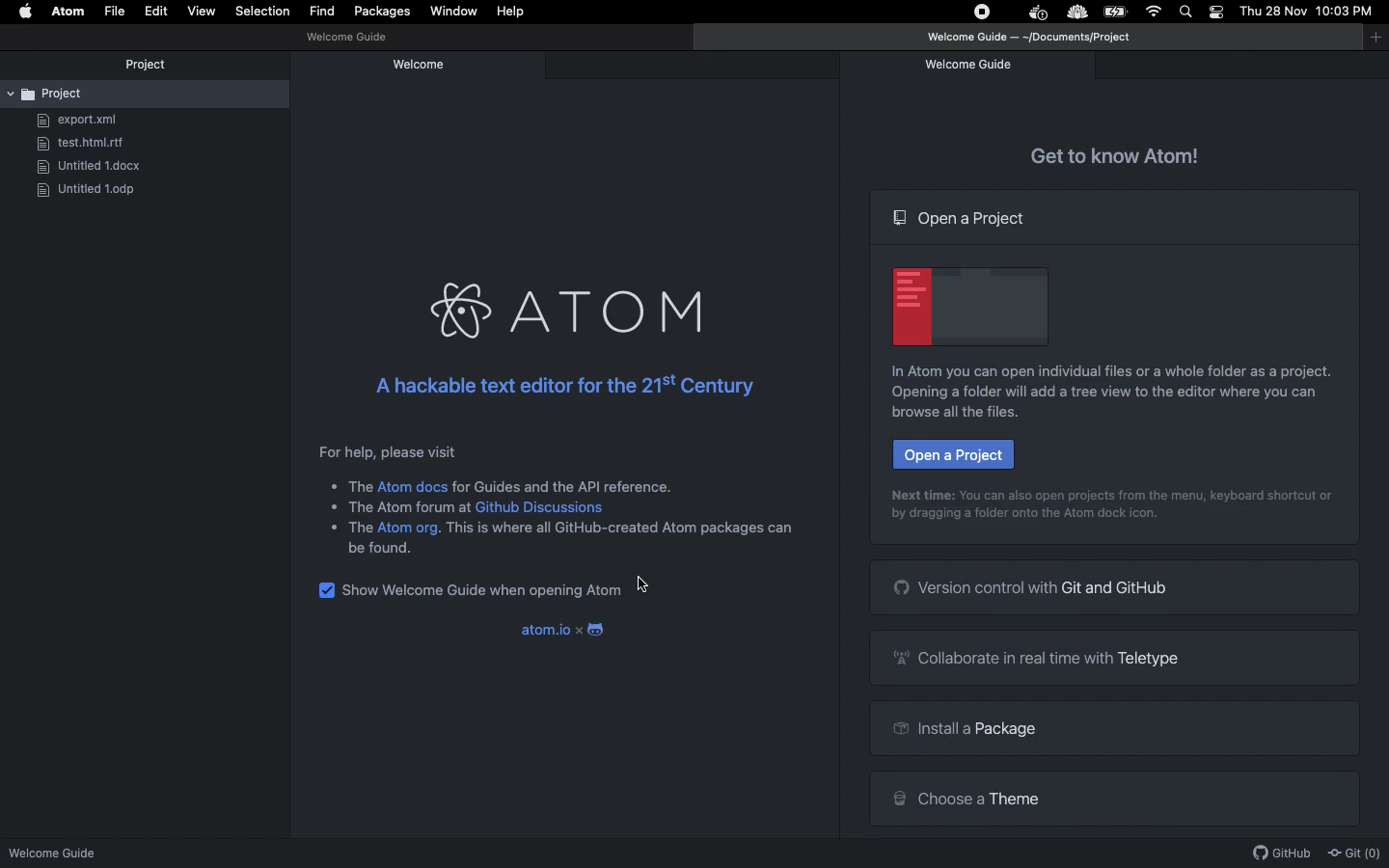  Describe the element at coordinates (410, 506) in the screenshot. I see `text` at that location.